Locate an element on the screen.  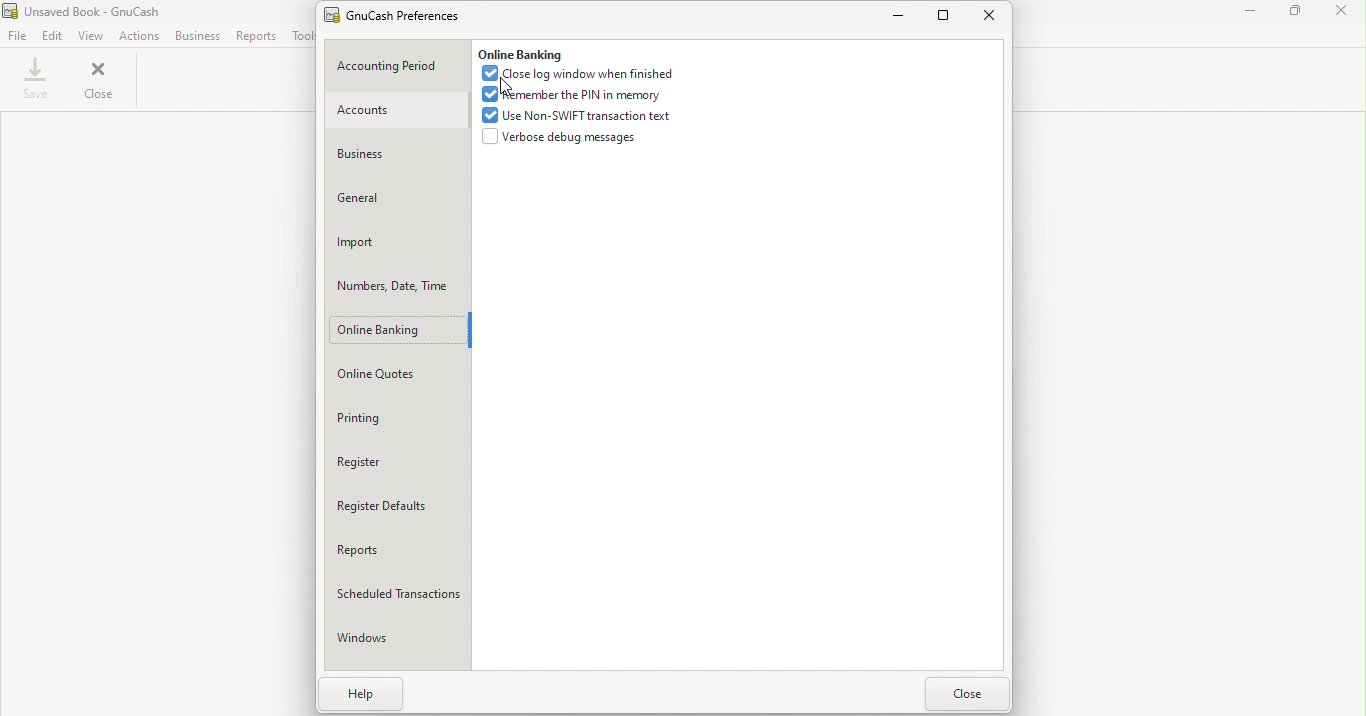
Import is located at coordinates (397, 243).